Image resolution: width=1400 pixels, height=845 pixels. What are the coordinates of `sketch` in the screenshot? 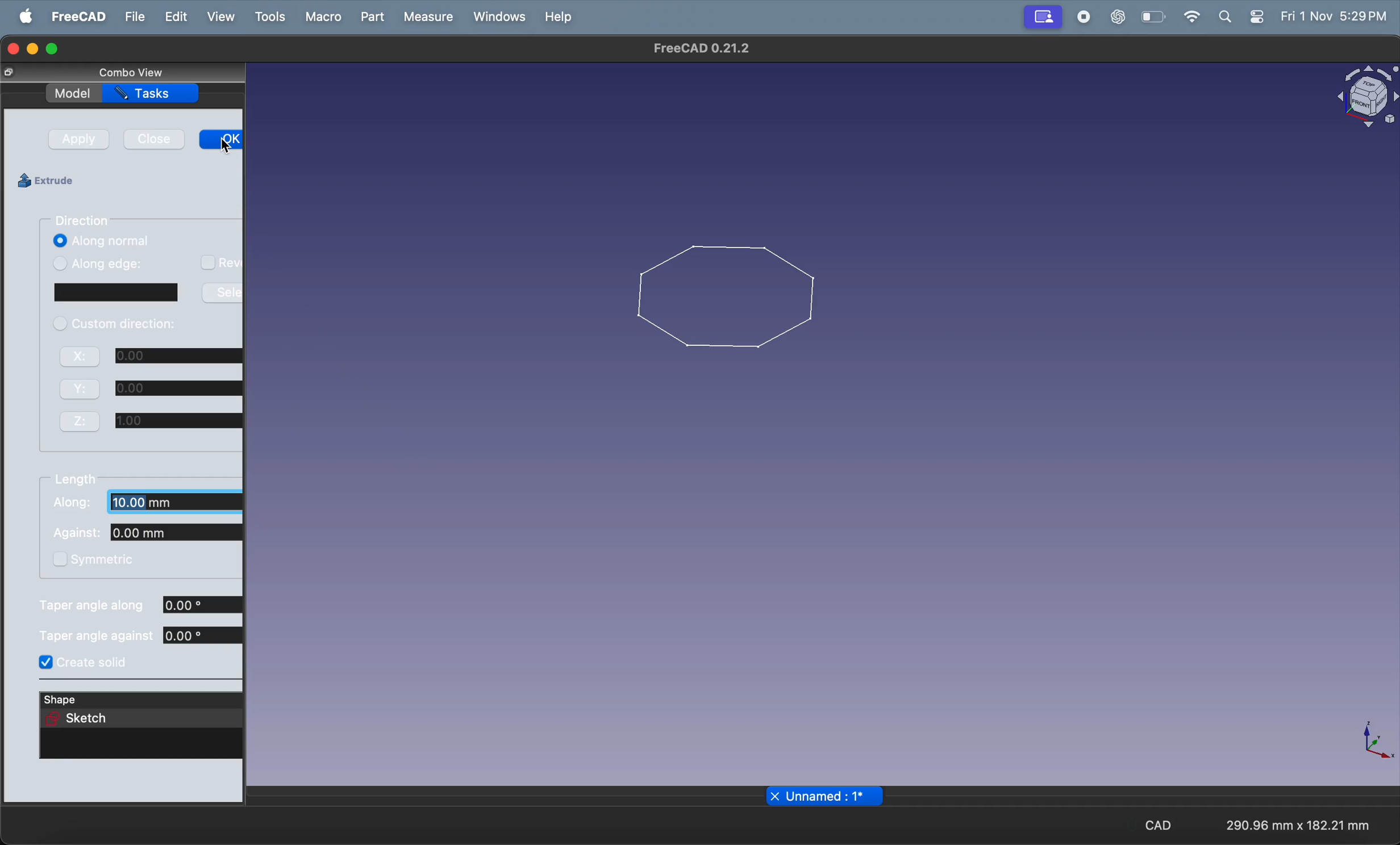 It's located at (82, 722).